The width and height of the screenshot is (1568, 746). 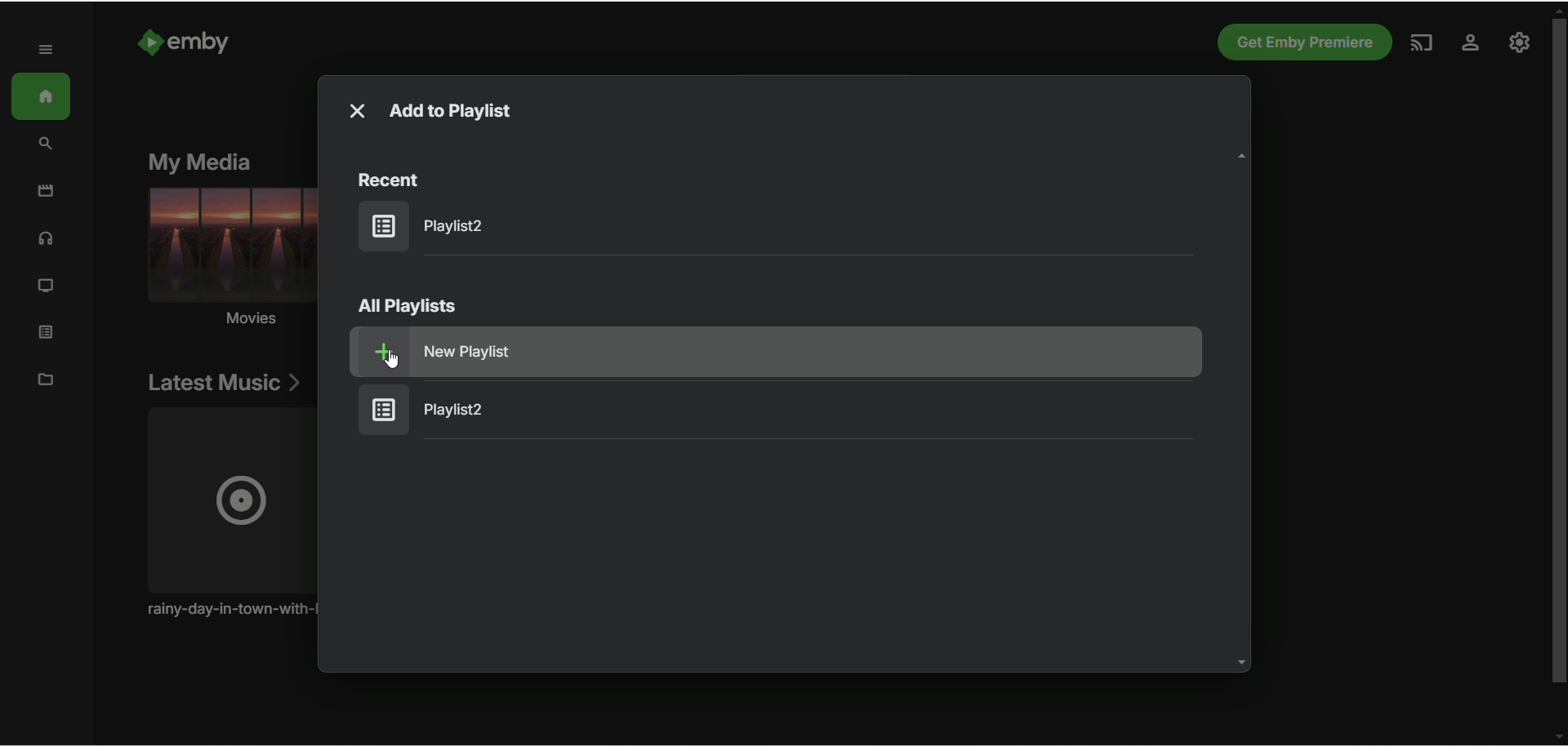 What do you see at coordinates (1558, 371) in the screenshot?
I see `vertical scroll bar` at bounding box center [1558, 371].